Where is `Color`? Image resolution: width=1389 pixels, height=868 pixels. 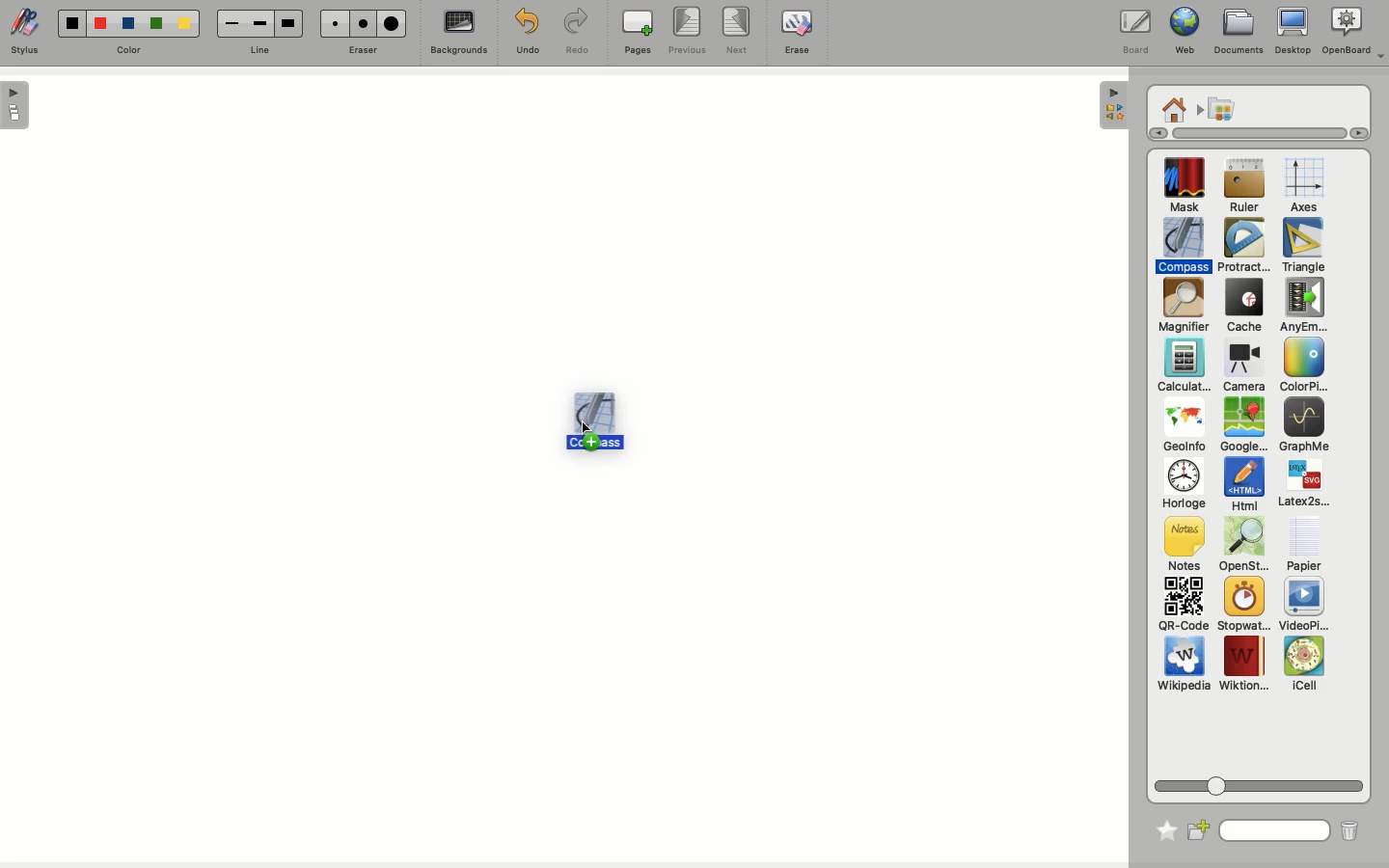 Color is located at coordinates (1300, 366).